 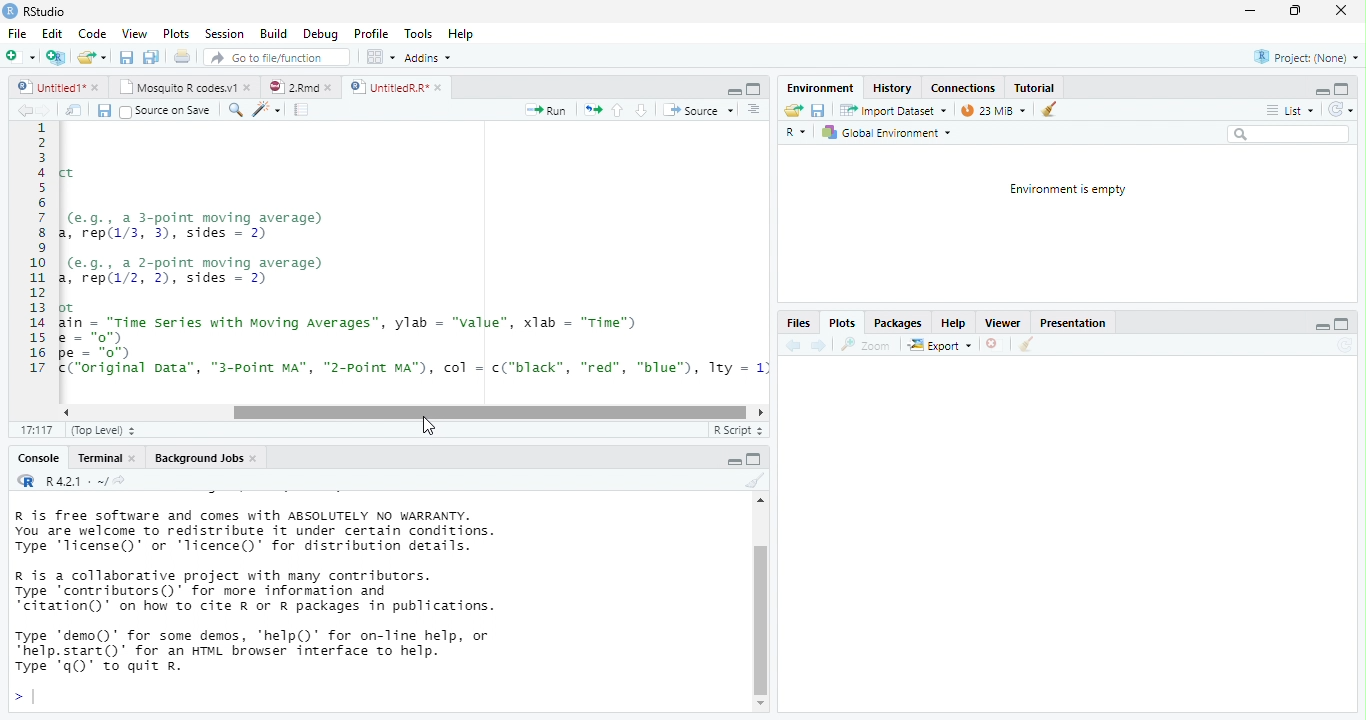 I want to click on maximize, so click(x=735, y=462).